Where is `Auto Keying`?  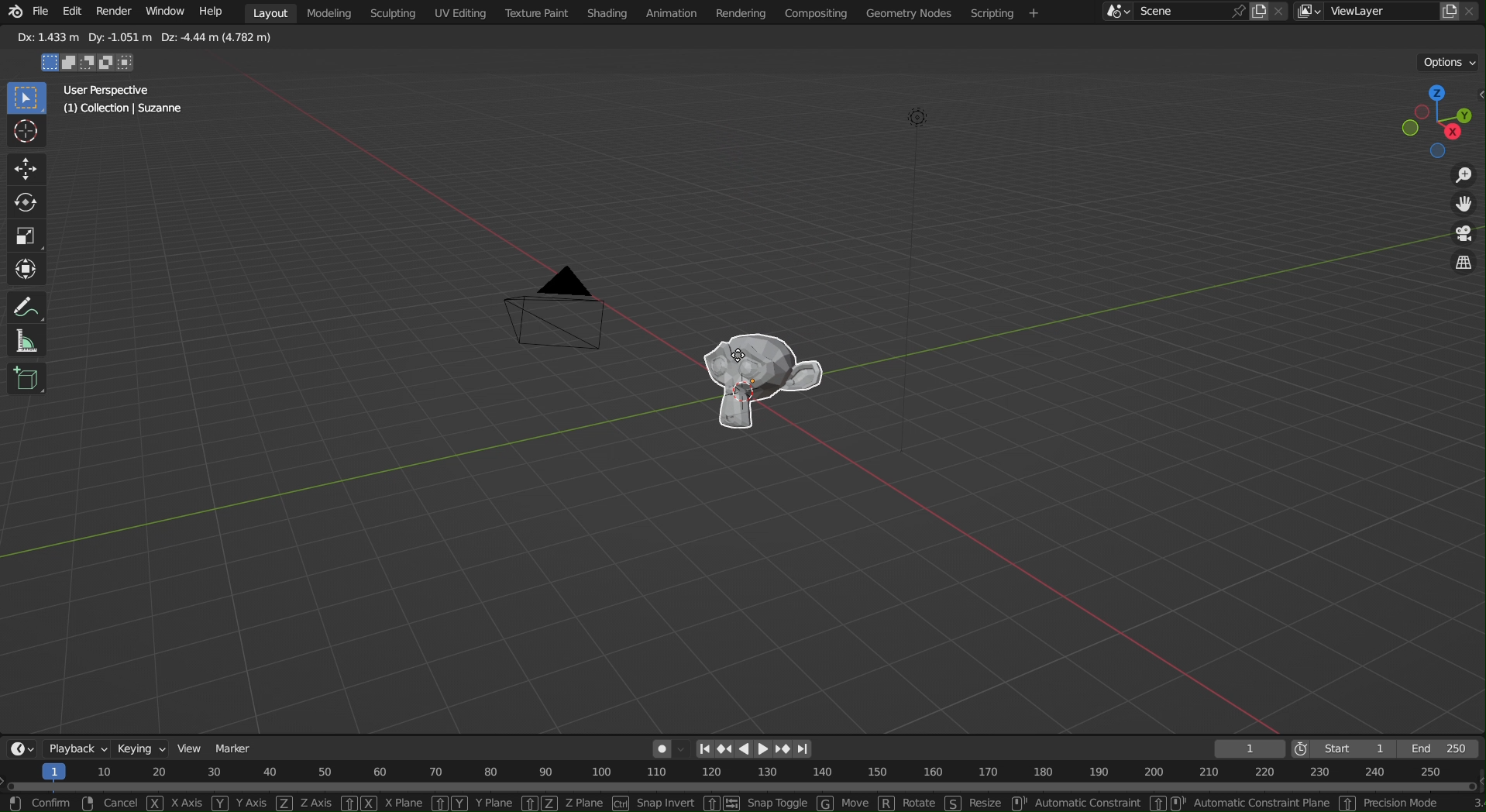
Auto Keying is located at coordinates (671, 749).